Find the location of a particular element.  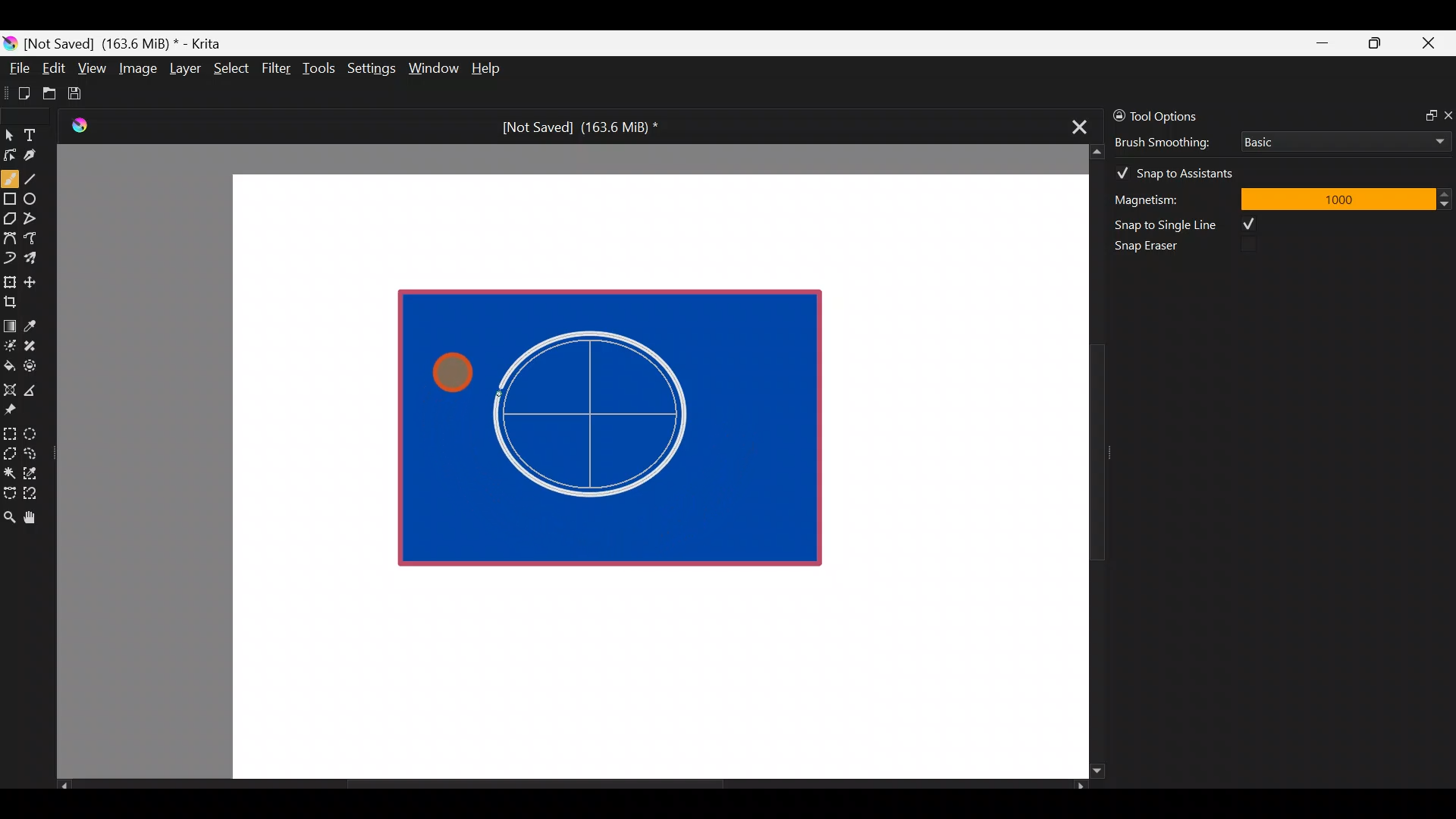

Select shapes tool is located at coordinates (9, 136).